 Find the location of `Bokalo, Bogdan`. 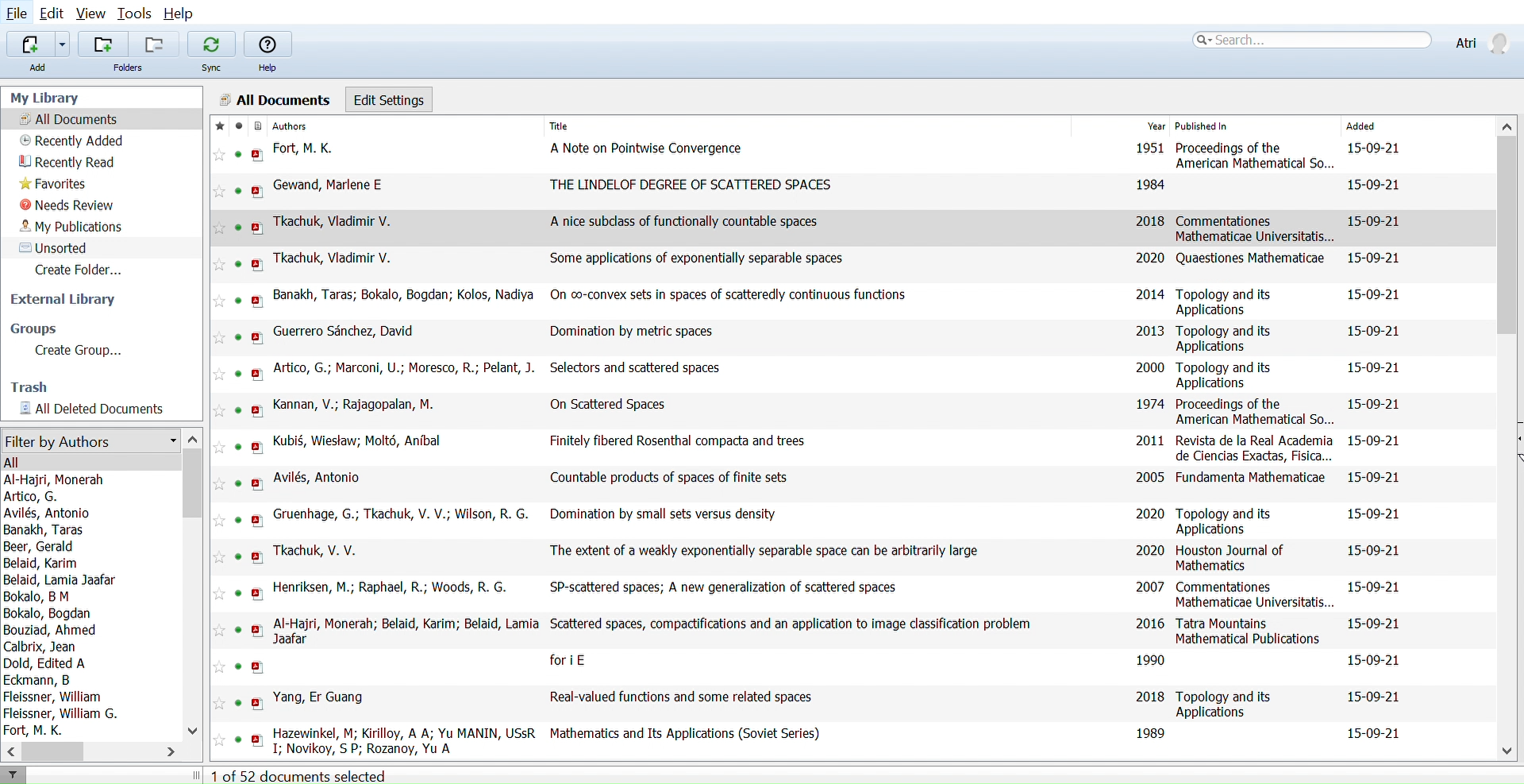

Bokalo, Bogdan is located at coordinates (52, 614).